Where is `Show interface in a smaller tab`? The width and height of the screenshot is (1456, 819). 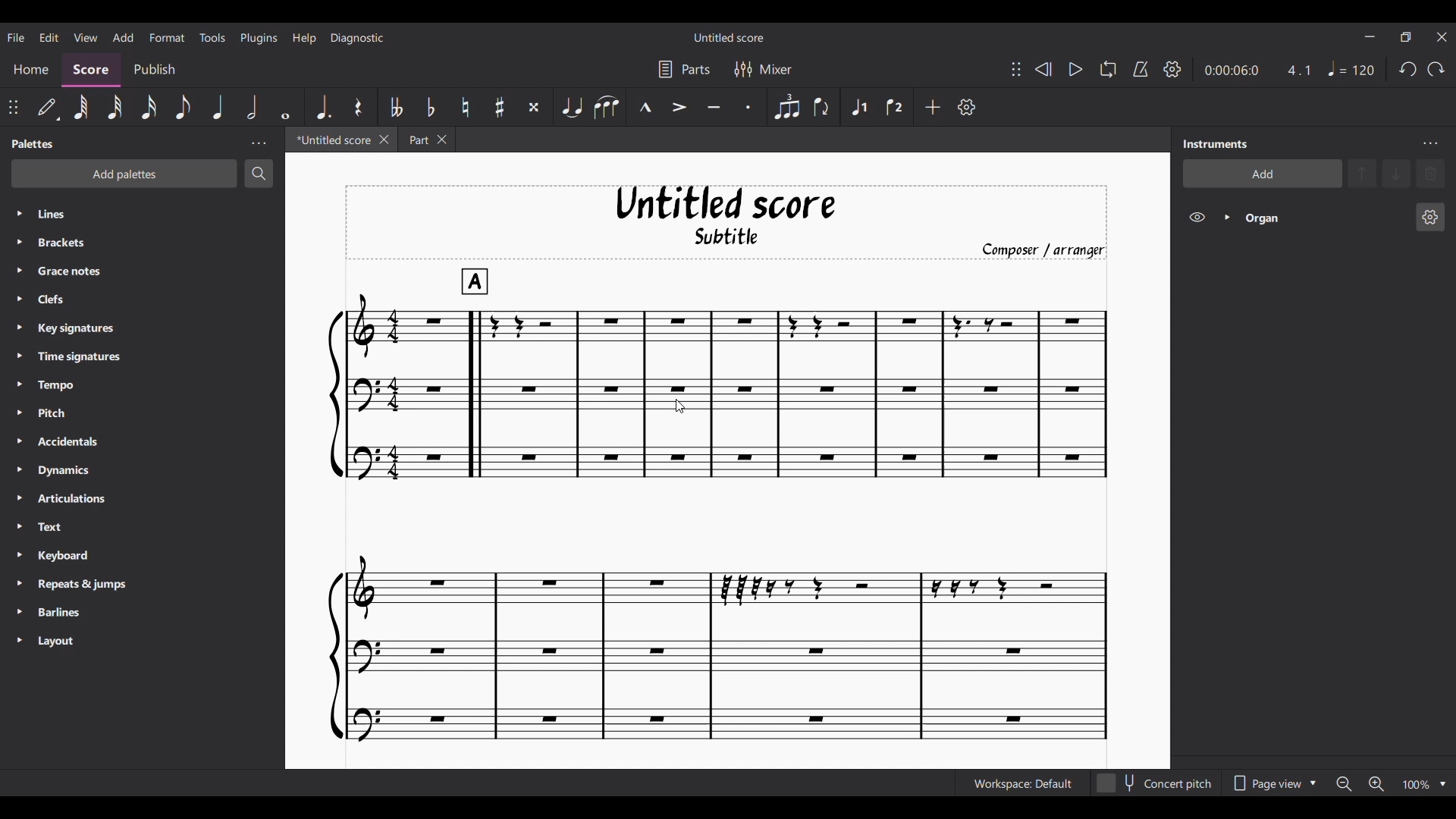
Show interface in a smaller tab is located at coordinates (1405, 37).